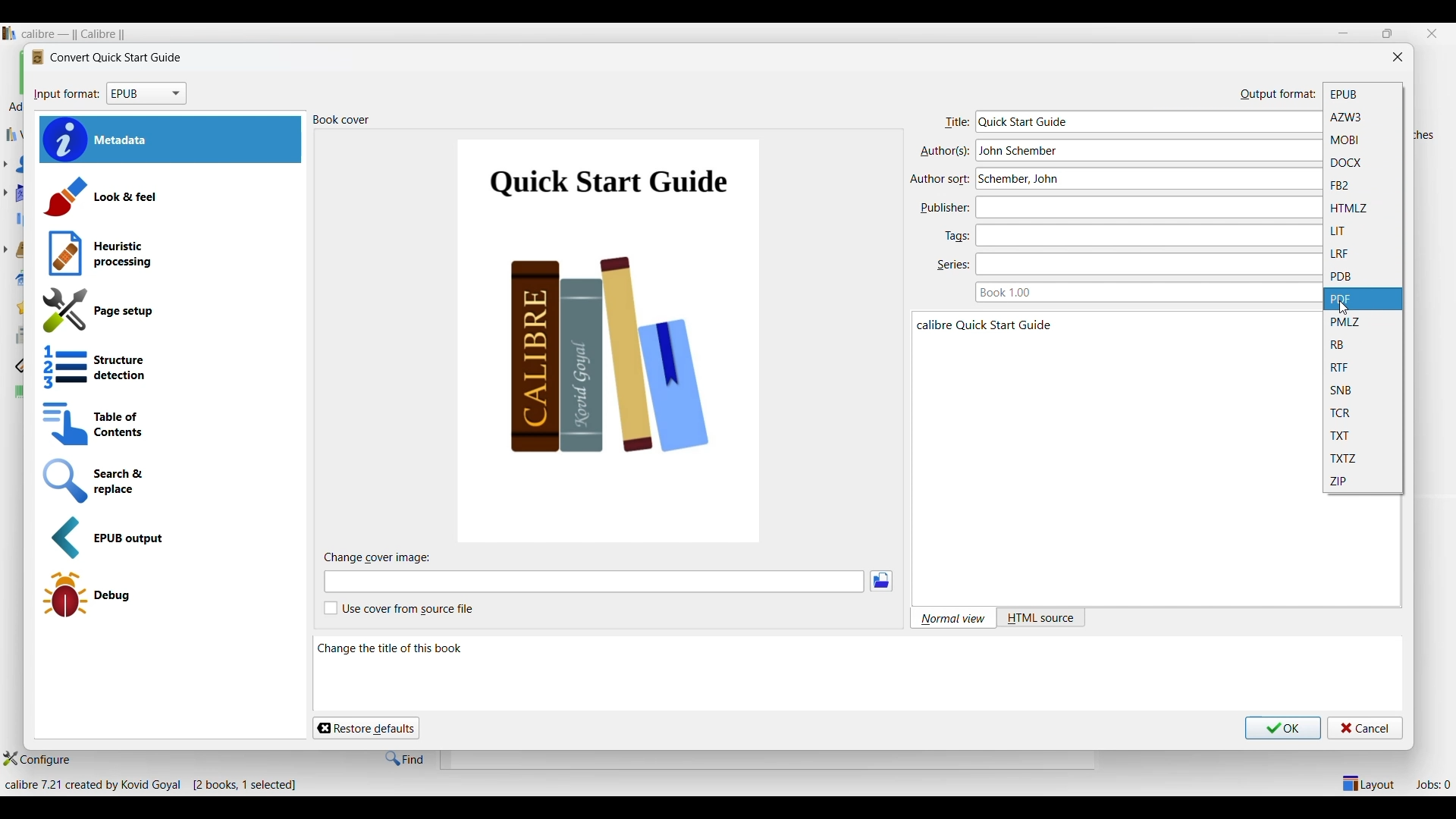  What do you see at coordinates (169, 538) in the screenshot?
I see `EPUB output` at bounding box center [169, 538].